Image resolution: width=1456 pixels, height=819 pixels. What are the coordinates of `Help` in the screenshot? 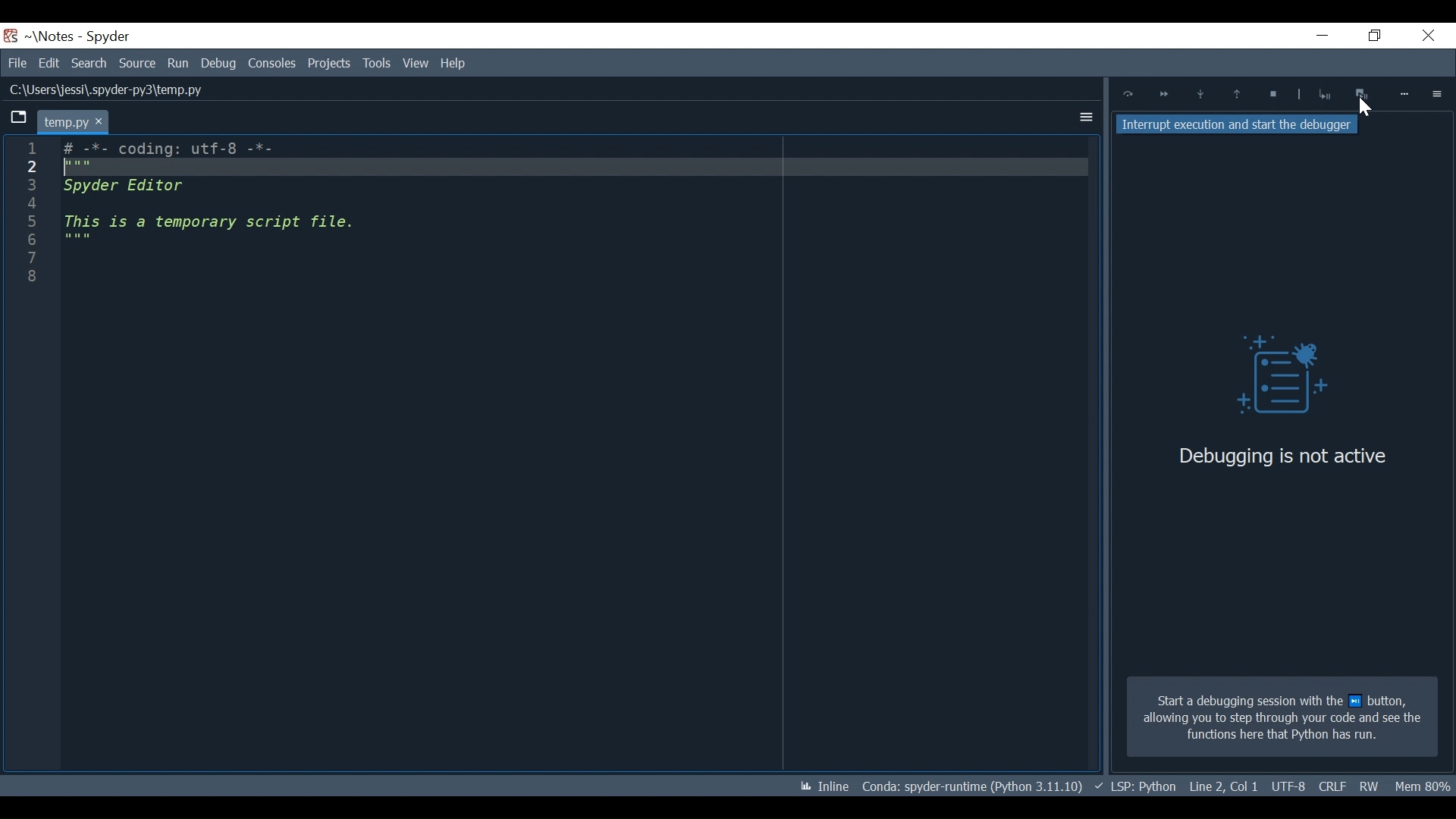 It's located at (455, 62).